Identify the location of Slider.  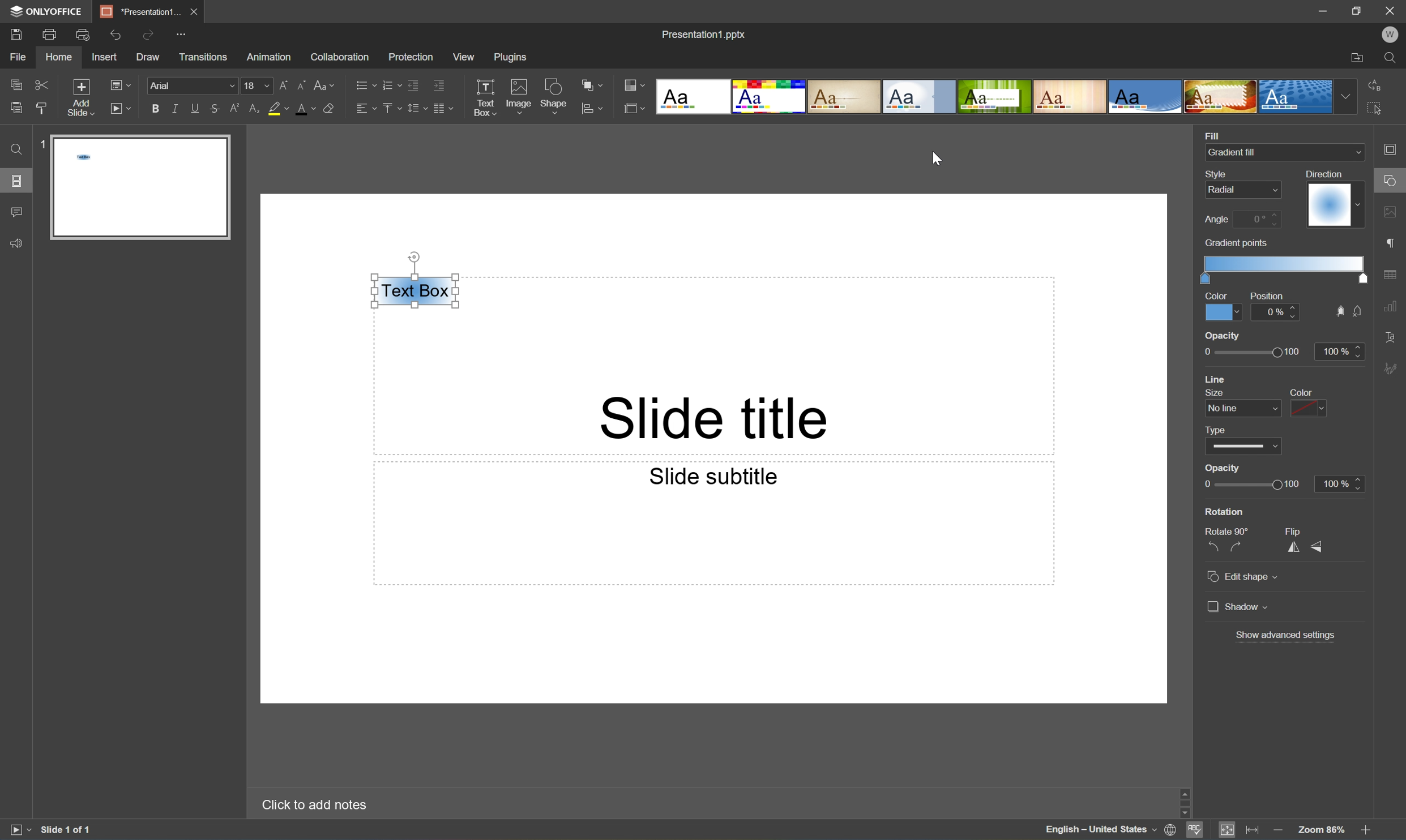
(1283, 267).